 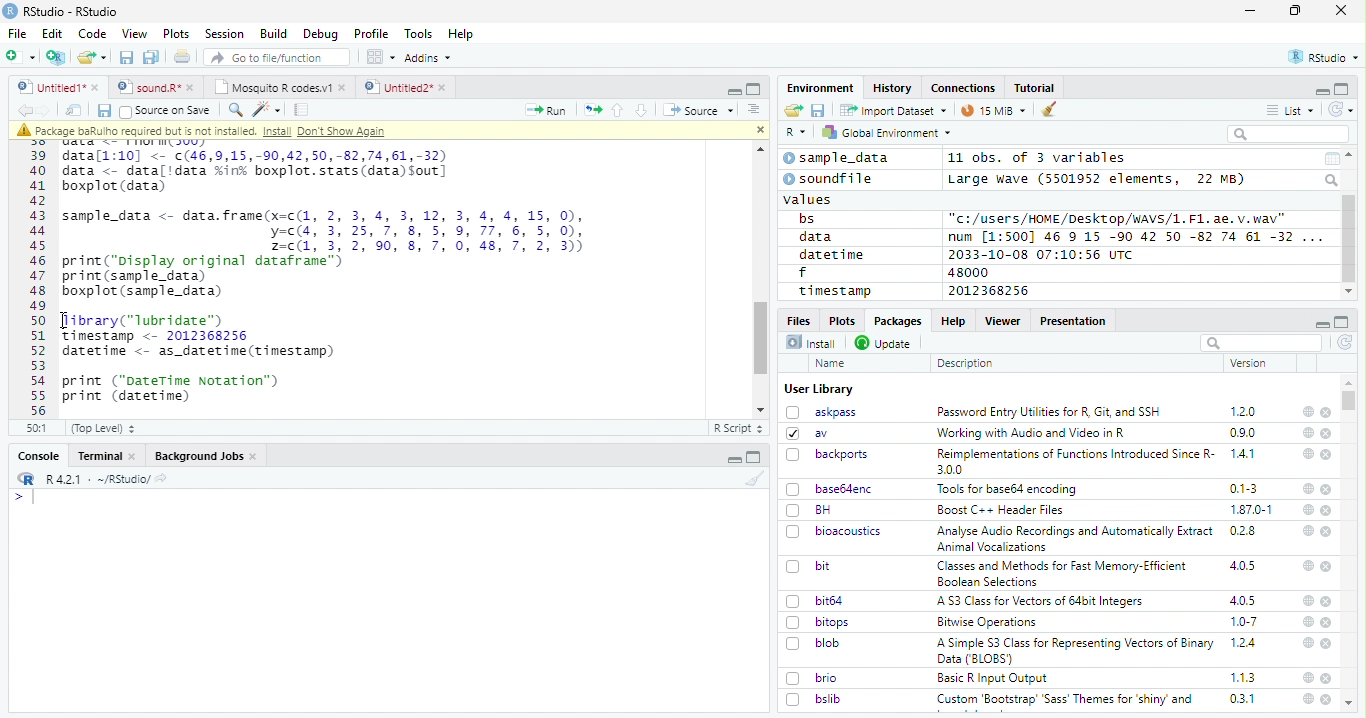 I want to click on Update, so click(x=885, y=343).